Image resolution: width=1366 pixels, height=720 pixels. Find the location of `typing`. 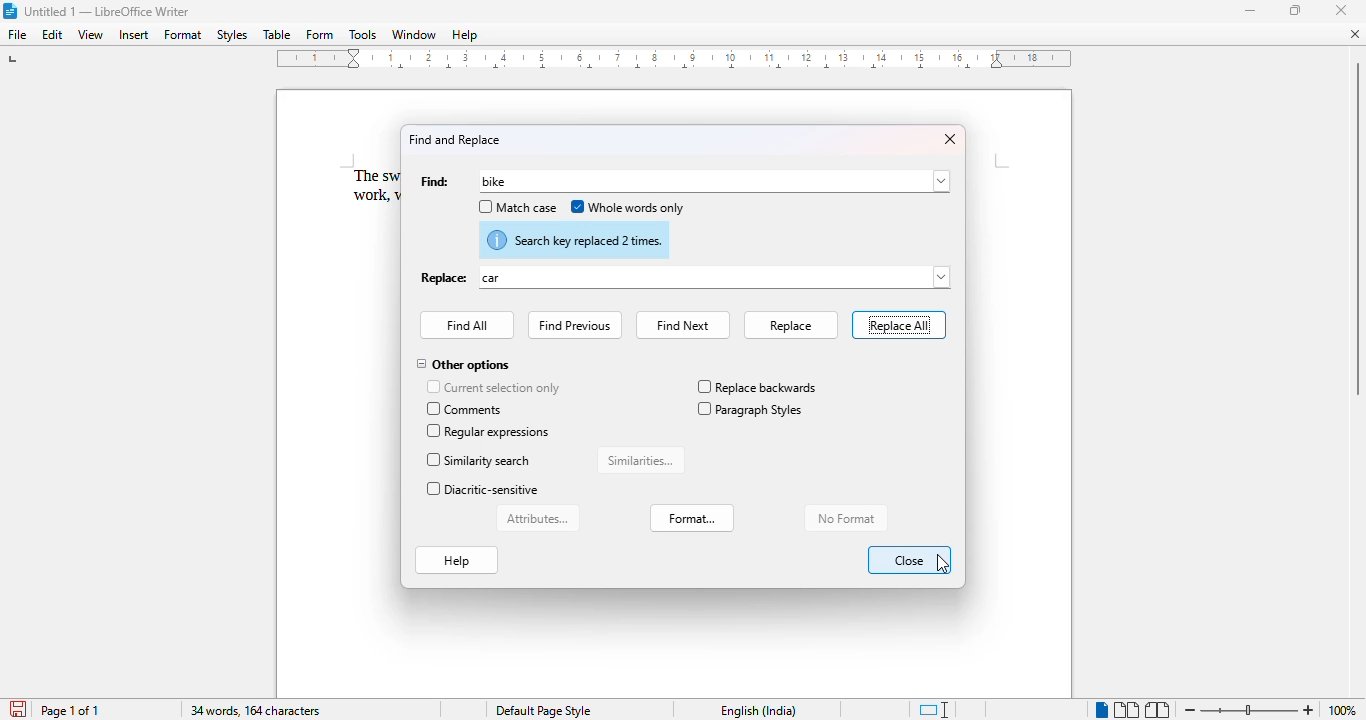

typing is located at coordinates (493, 181).